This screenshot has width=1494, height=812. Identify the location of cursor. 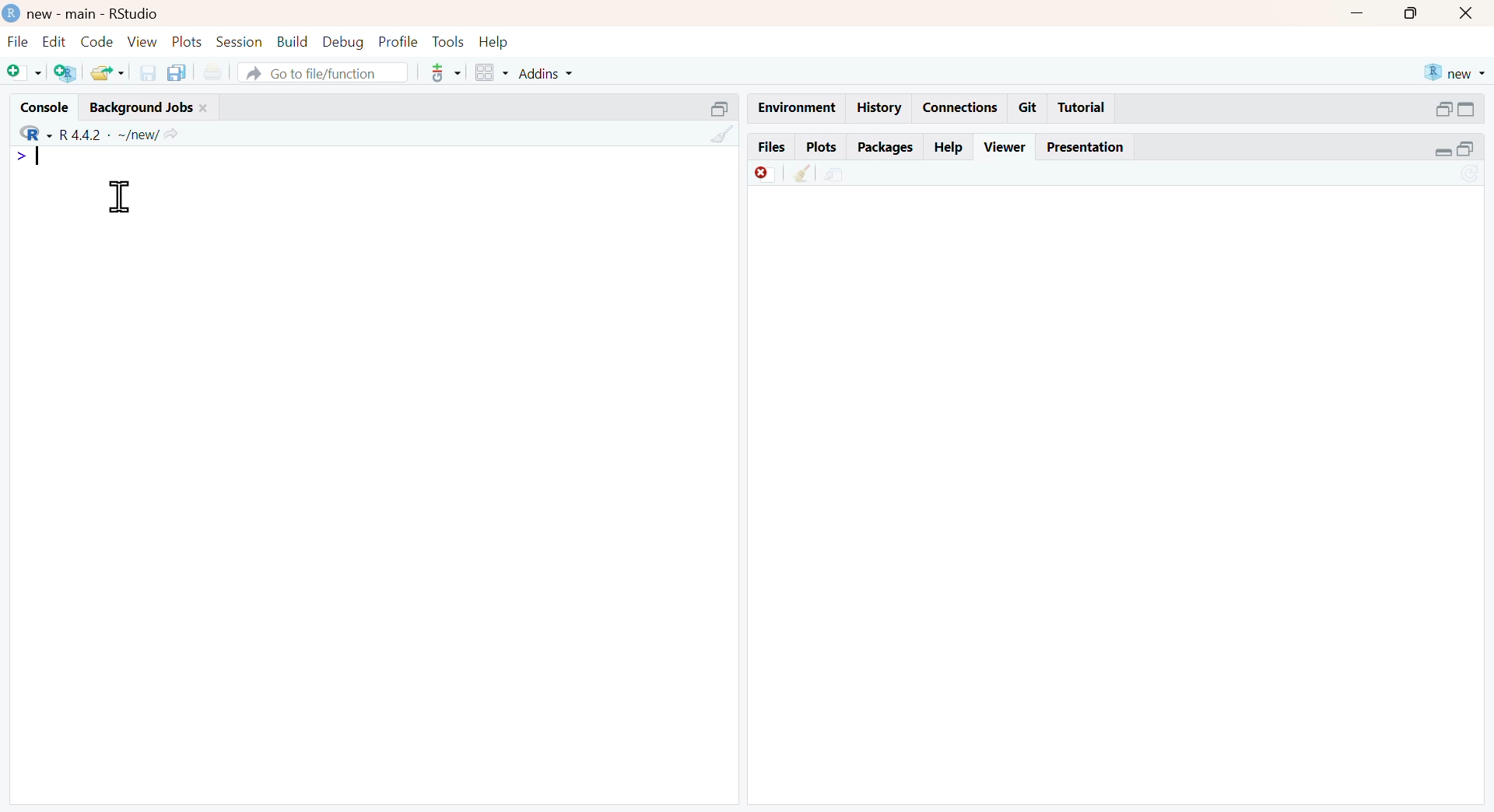
(121, 197).